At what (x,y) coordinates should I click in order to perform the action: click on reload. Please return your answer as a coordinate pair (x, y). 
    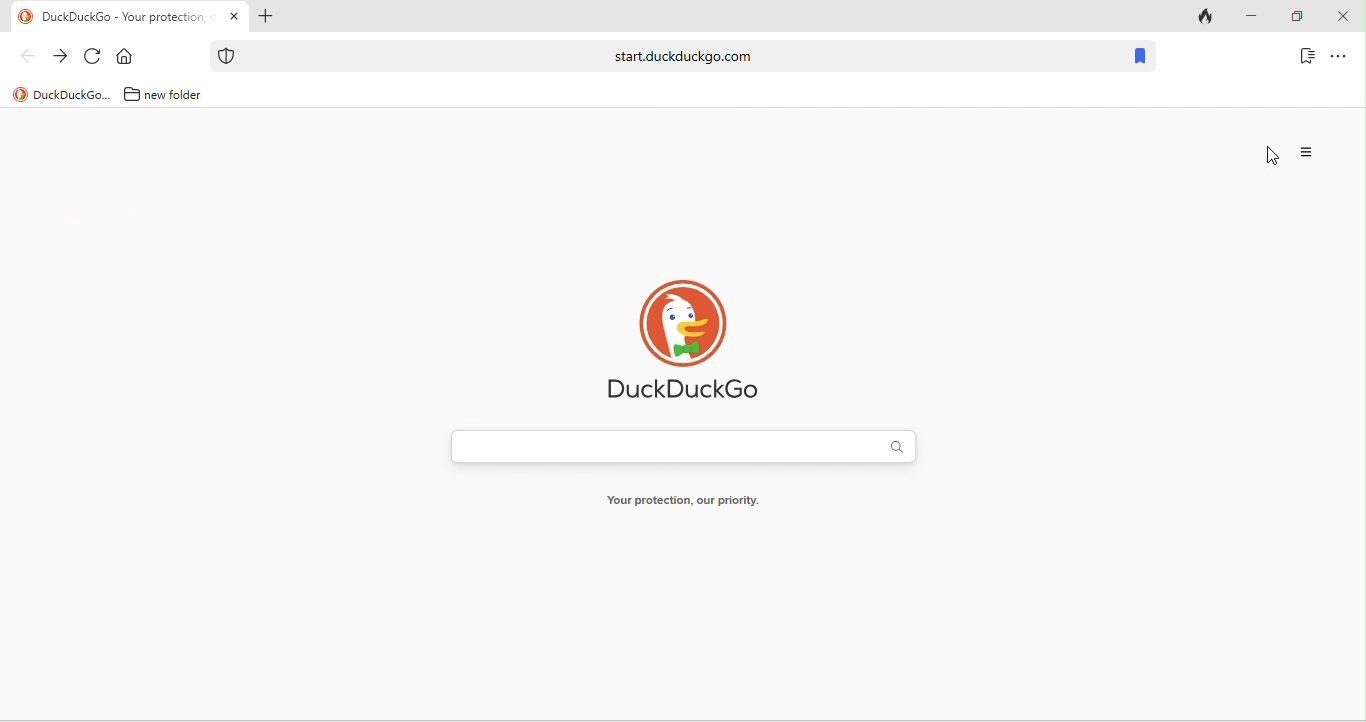
    Looking at the image, I should click on (91, 54).